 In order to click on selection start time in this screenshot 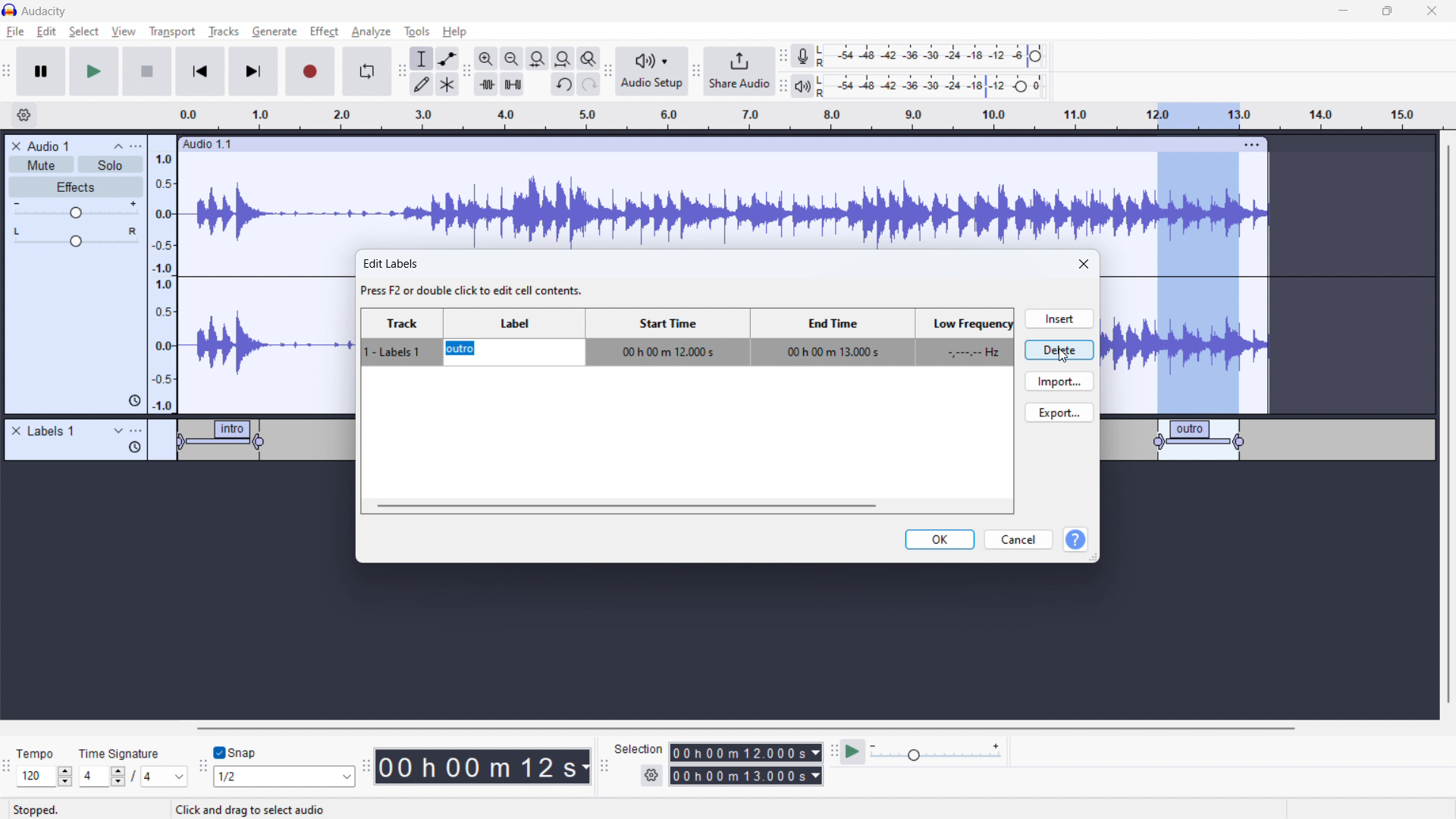, I will do `click(746, 752)`.